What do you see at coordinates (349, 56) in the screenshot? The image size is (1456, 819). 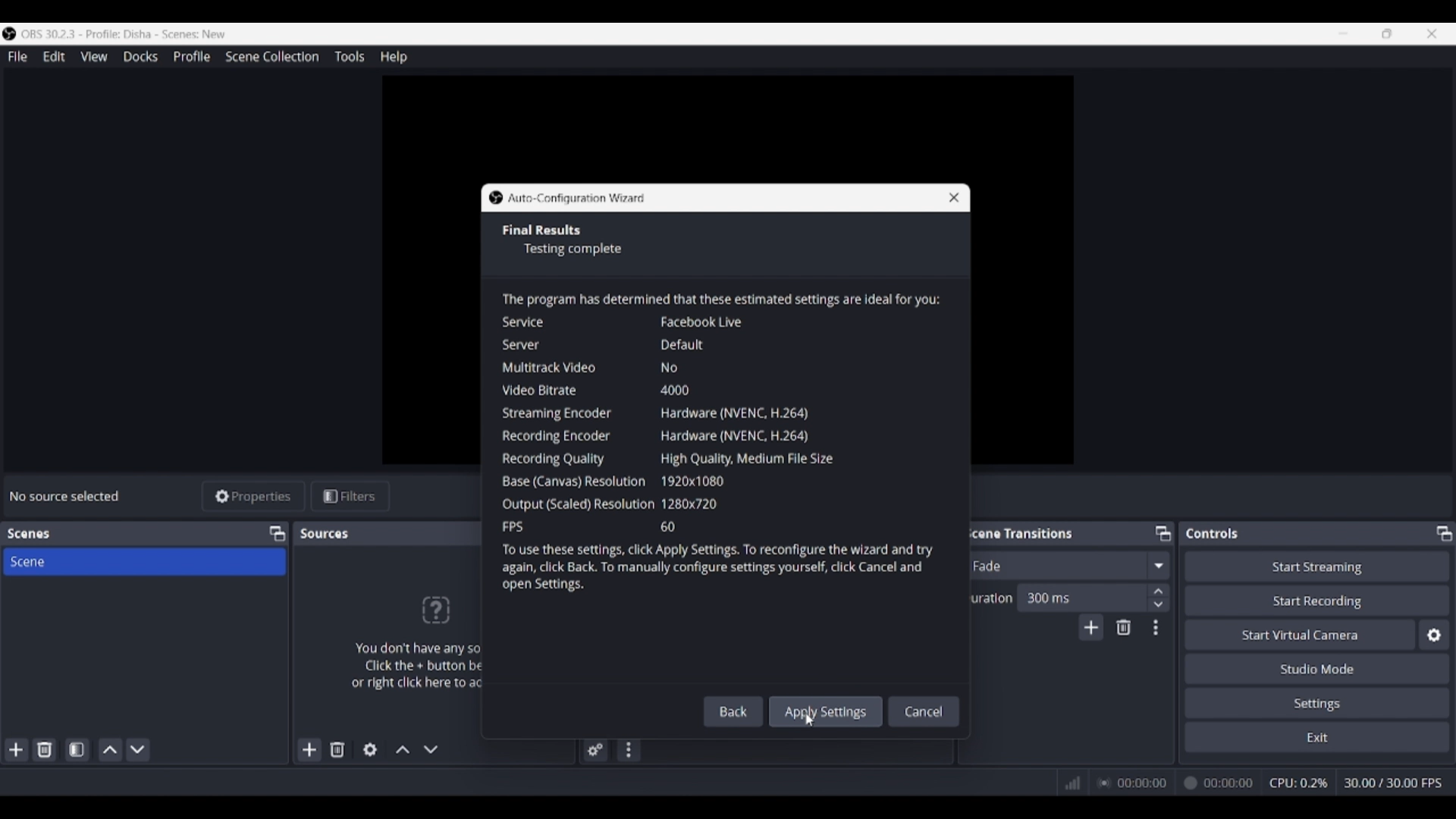 I see `Tools menu` at bounding box center [349, 56].